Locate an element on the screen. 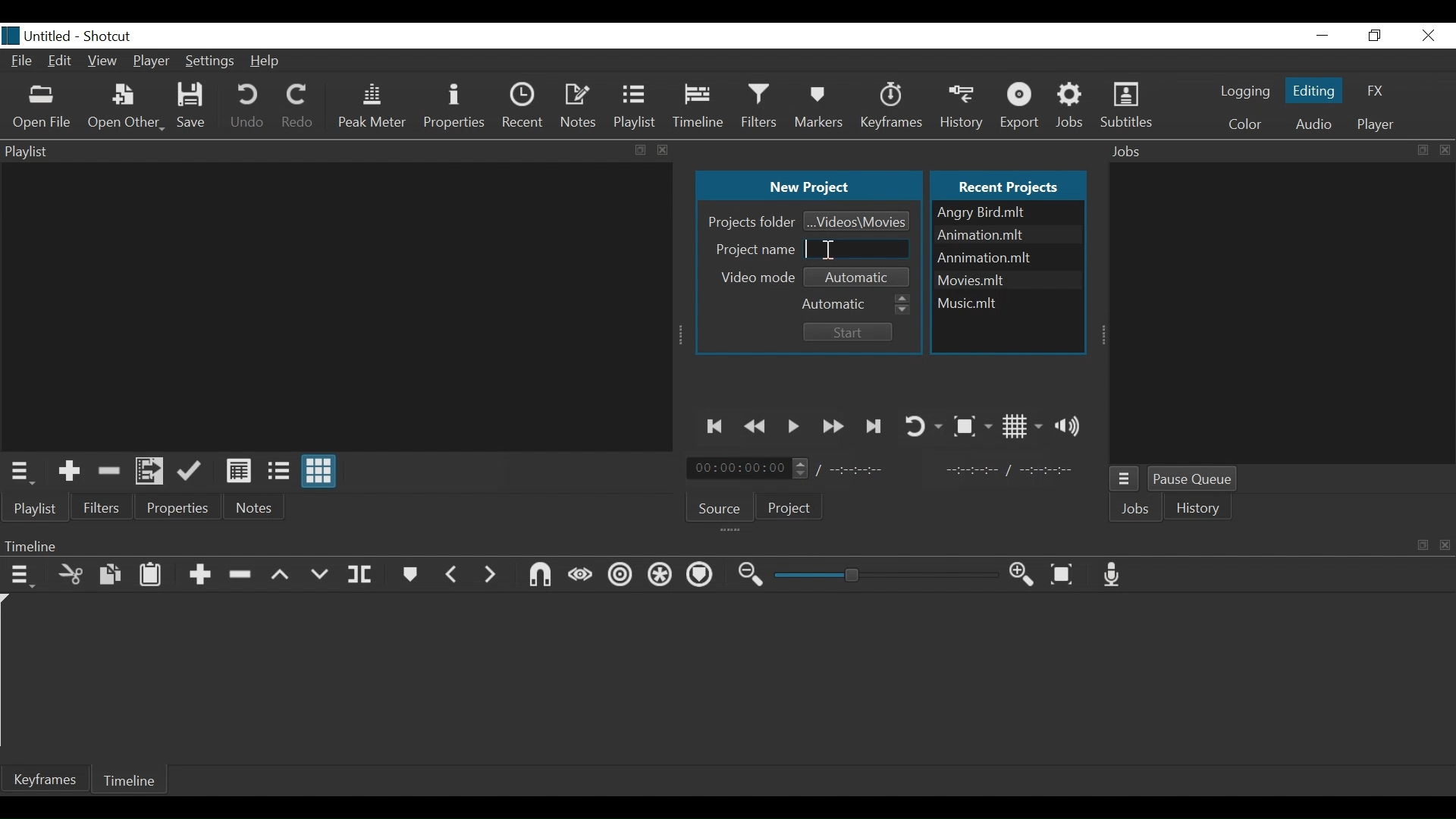 This screenshot has width=1456, height=819. Lift is located at coordinates (281, 576).